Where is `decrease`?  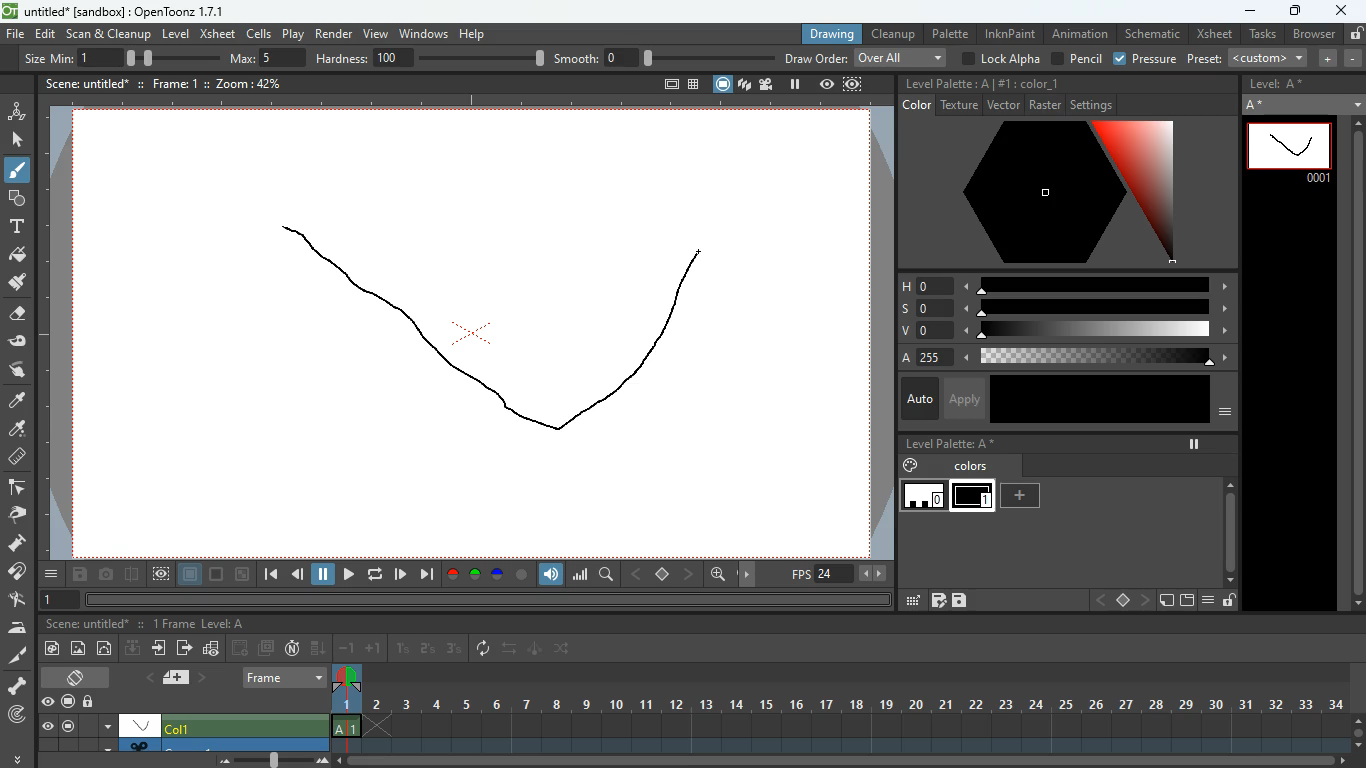
decrease is located at coordinates (1353, 58).